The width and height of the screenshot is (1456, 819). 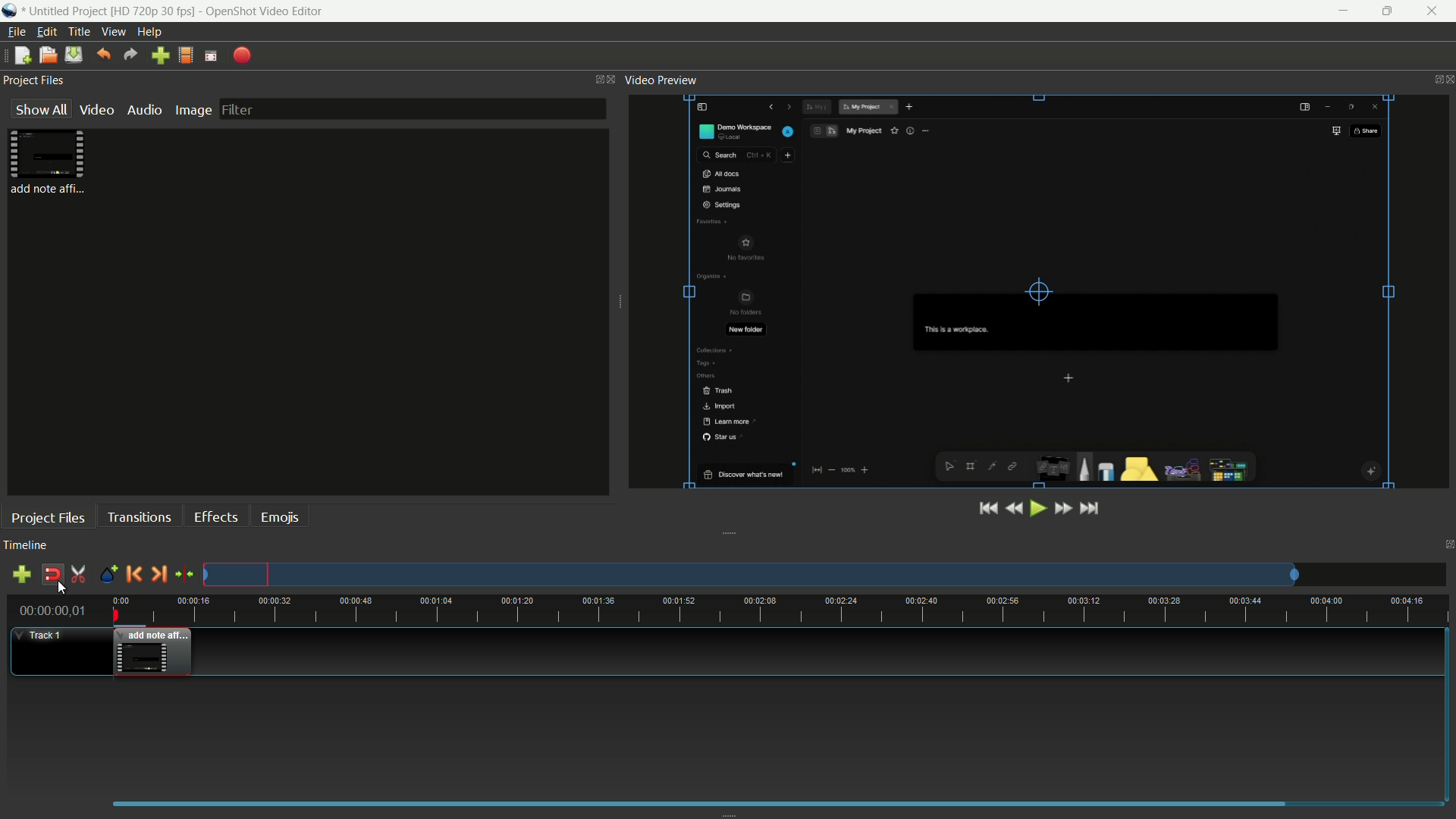 What do you see at coordinates (20, 55) in the screenshot?
I see `new file` at bounding box center [20, 55].